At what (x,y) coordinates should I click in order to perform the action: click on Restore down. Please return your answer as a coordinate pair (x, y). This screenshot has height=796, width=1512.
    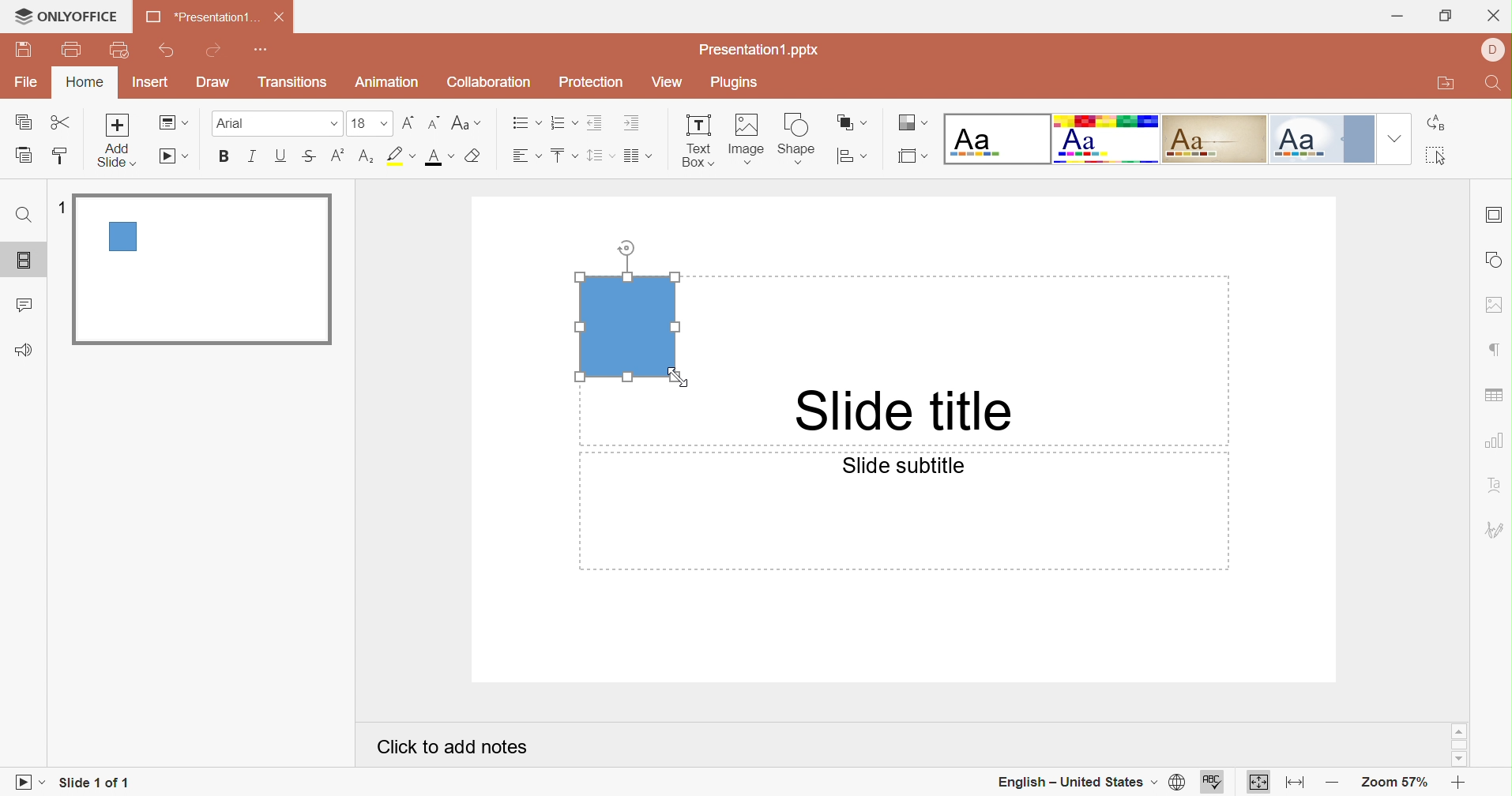
    Looking at the image, I should click on (1447, 19).